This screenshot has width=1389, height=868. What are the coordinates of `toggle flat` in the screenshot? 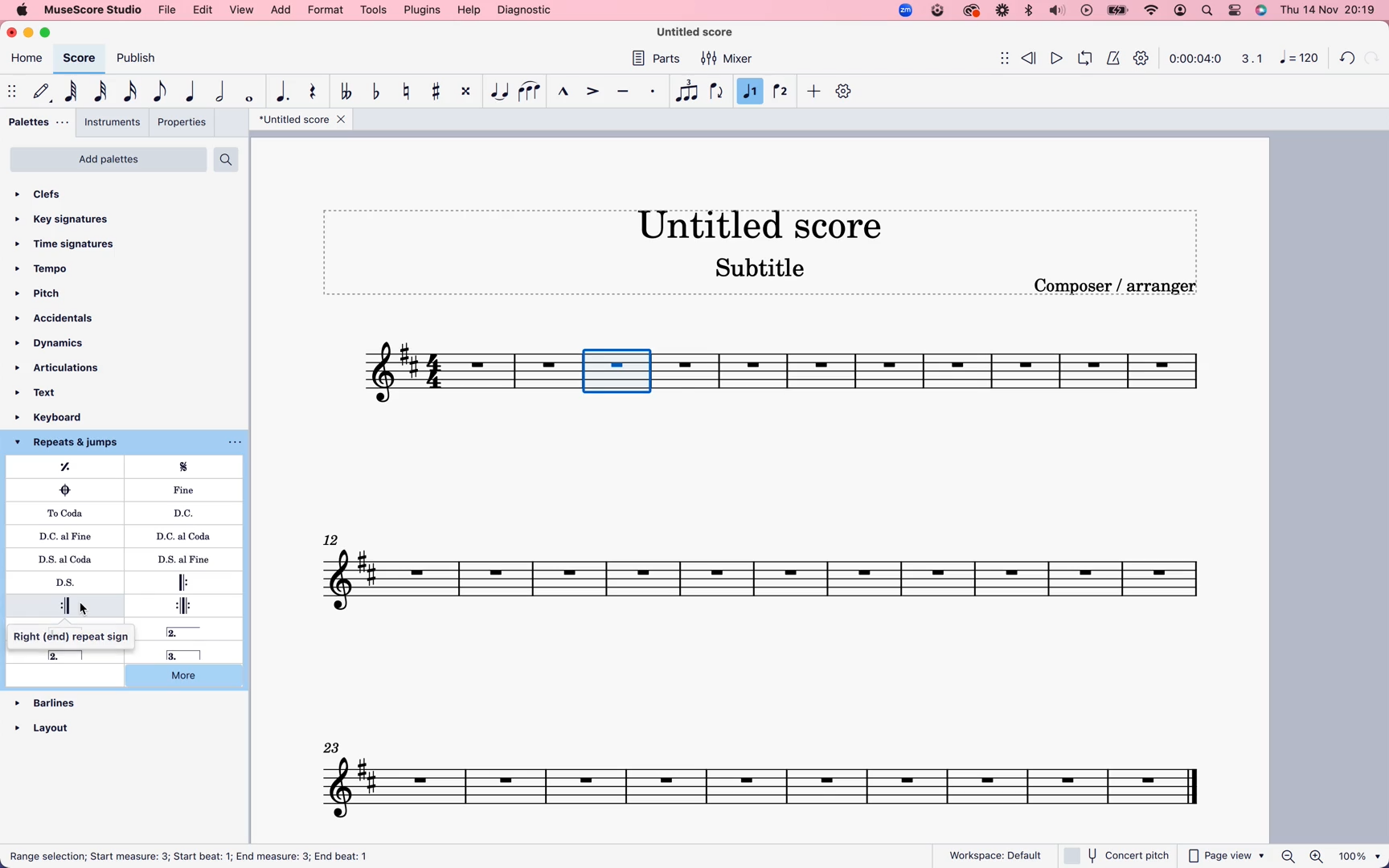 It's located at (379, 92).